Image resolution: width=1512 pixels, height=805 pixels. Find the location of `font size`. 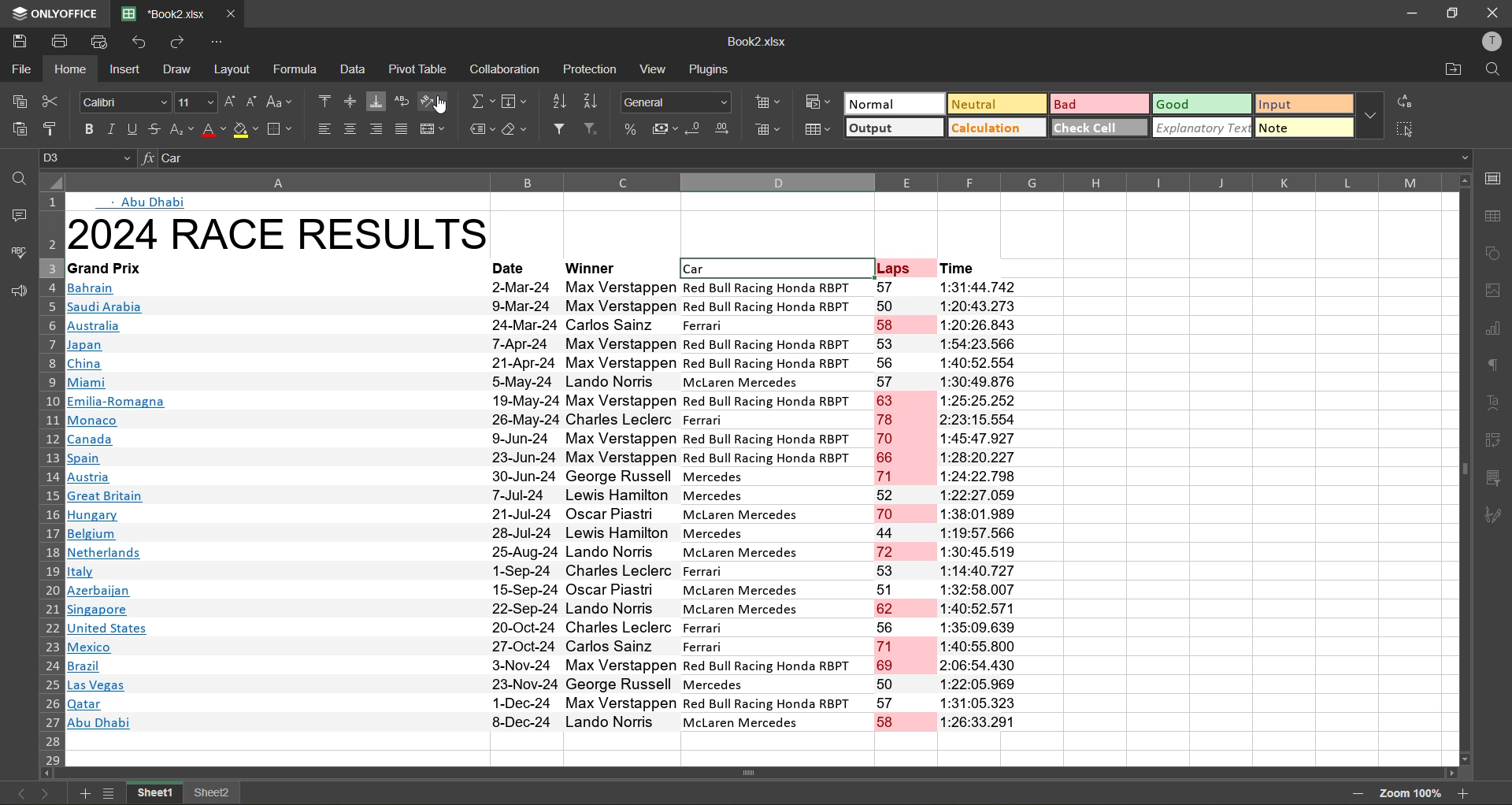

font size is located at coordinates (198, 102).